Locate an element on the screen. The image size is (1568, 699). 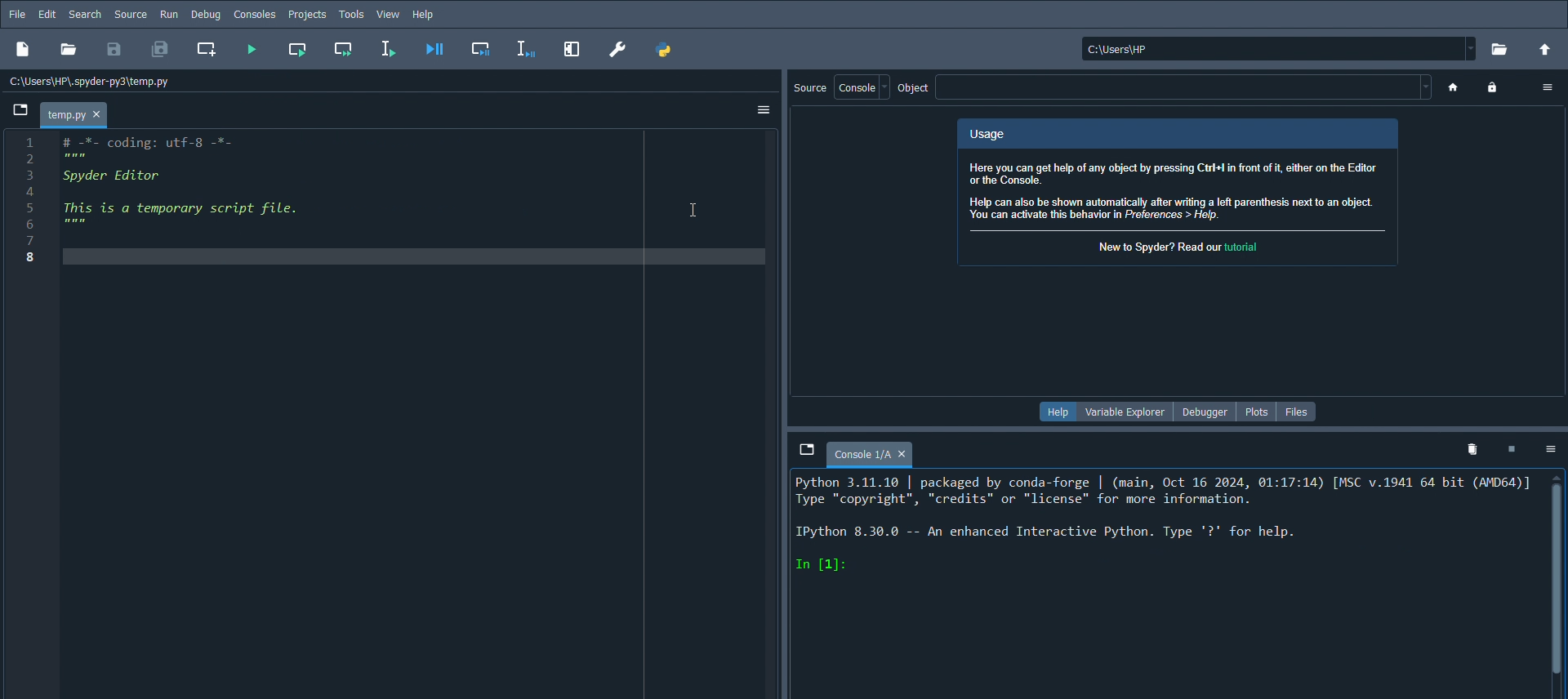
Change to parent directory is located at coordinates (1546, 48).